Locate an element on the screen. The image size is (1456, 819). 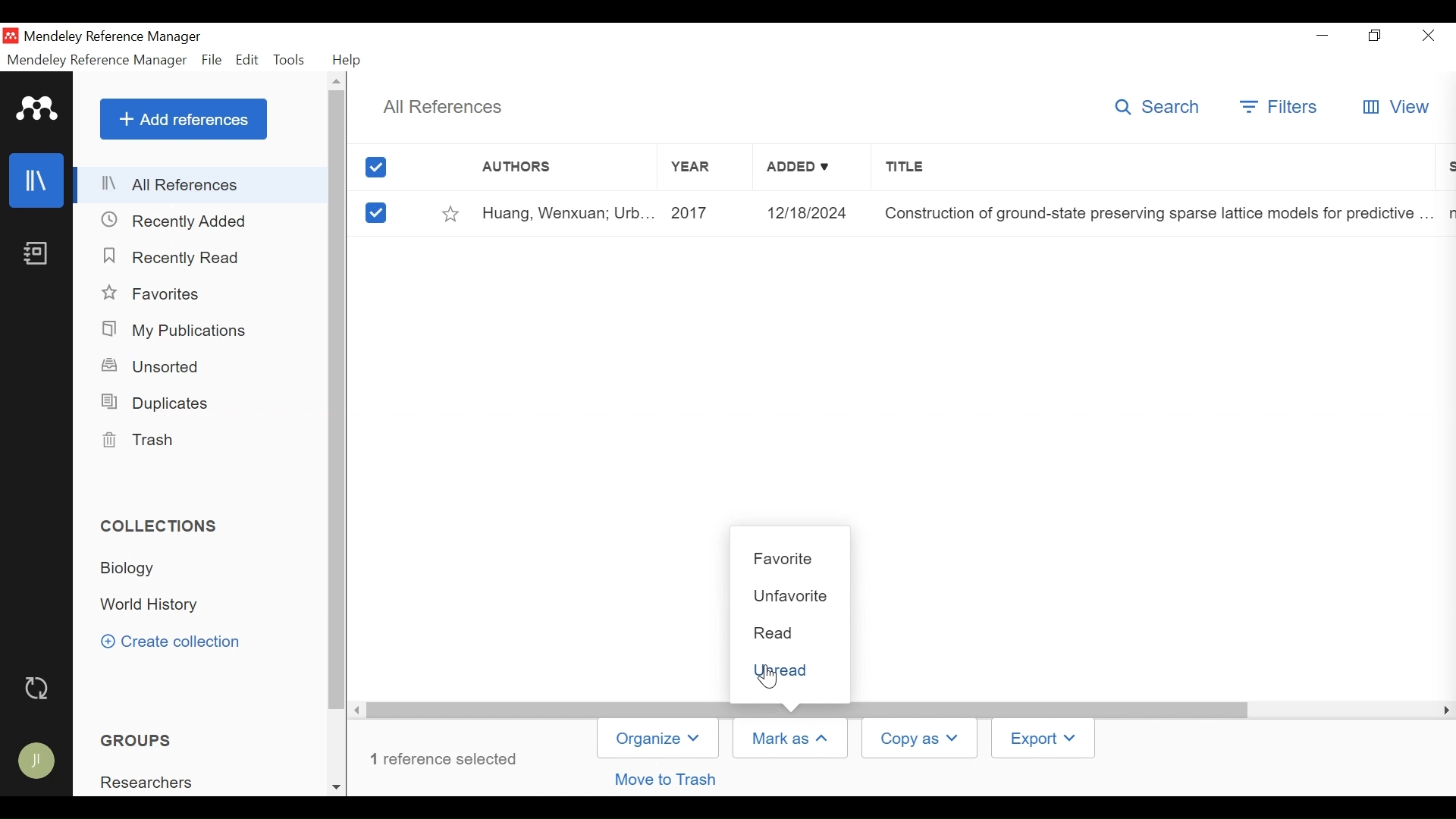
Mendeley Reference Manager is located at coordinates (96, 61).